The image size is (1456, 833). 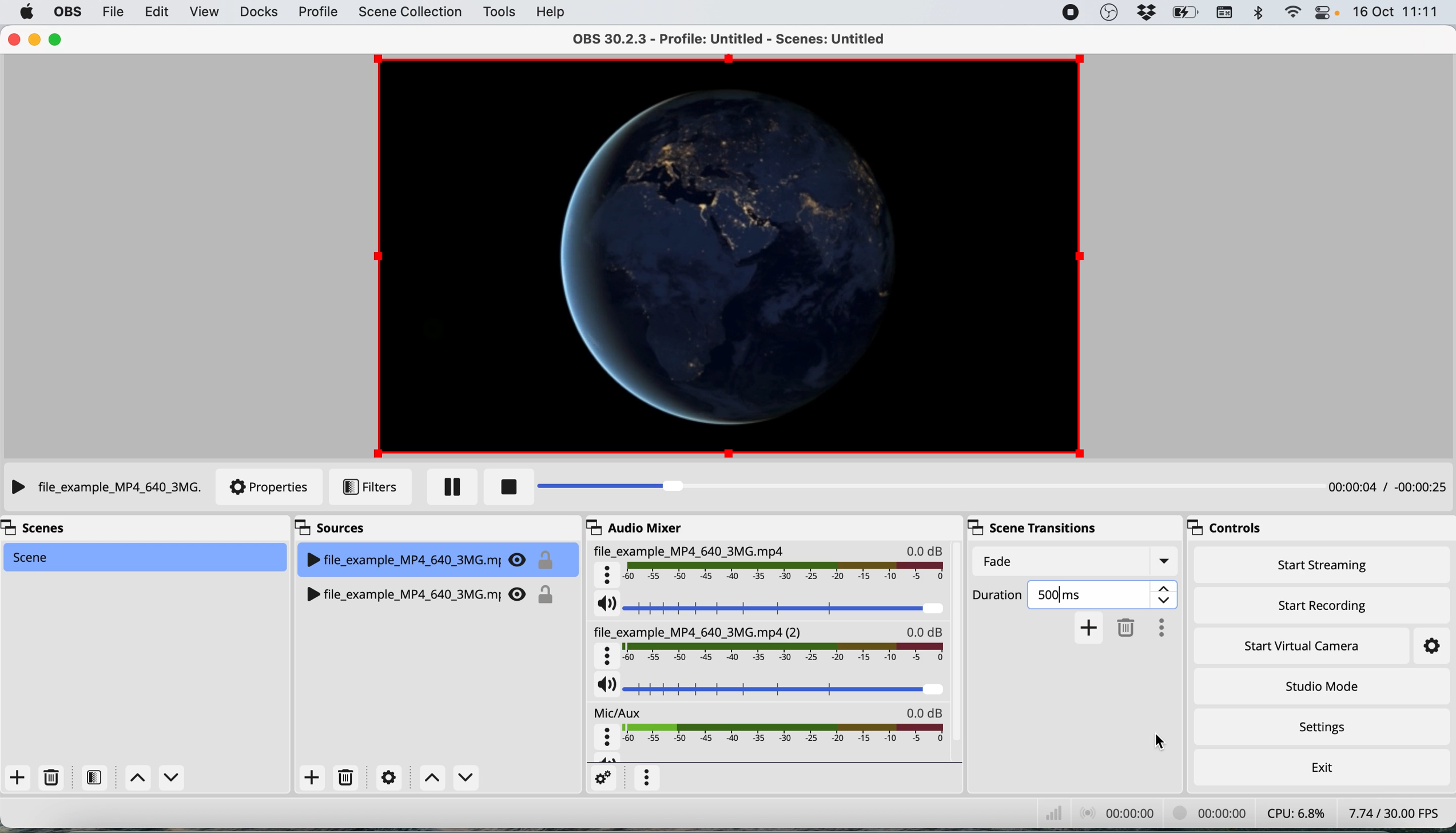 I want to click on current source, so click(x=441, y=556).